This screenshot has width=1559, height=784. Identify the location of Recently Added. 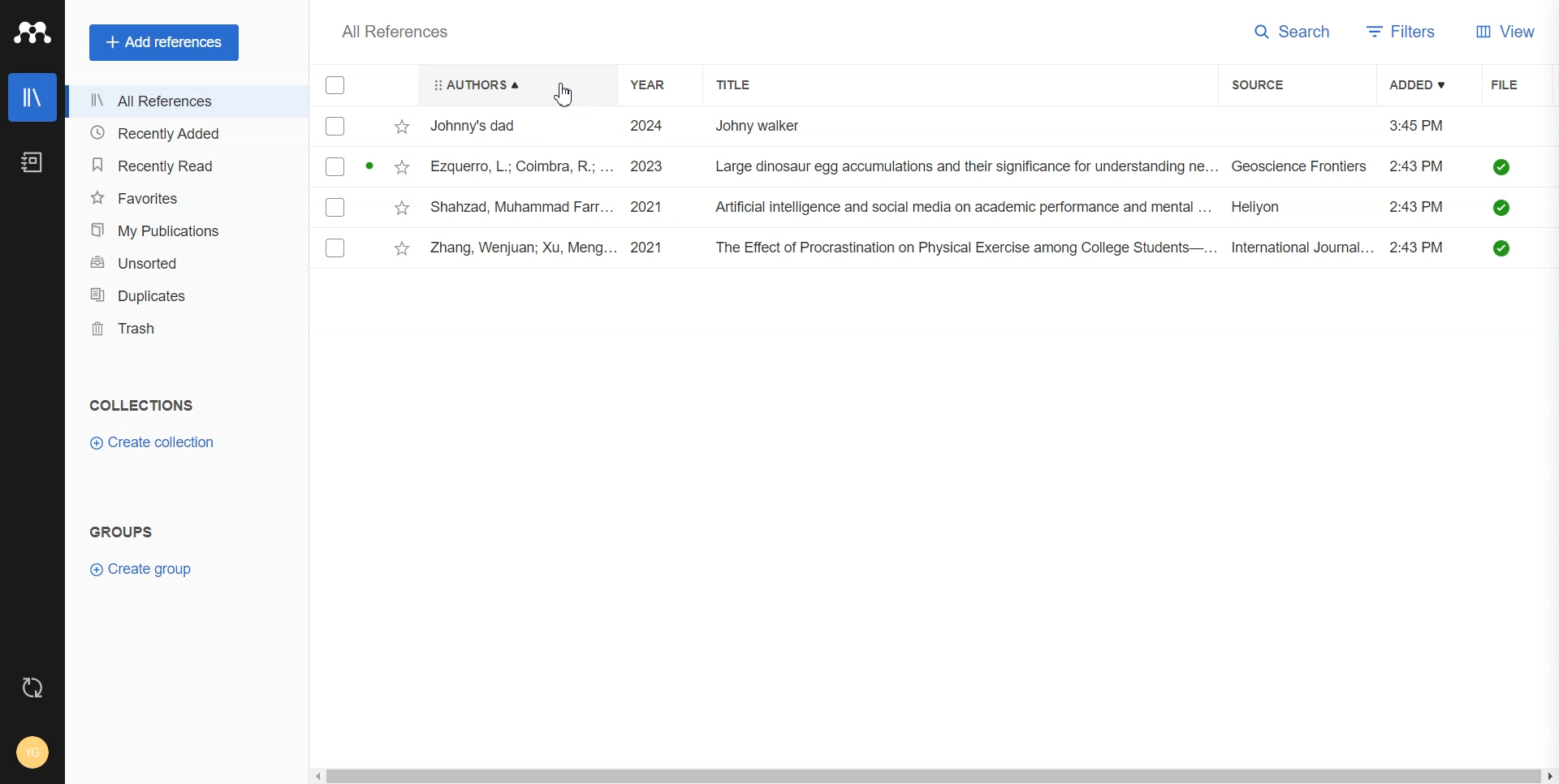
(179, 134).